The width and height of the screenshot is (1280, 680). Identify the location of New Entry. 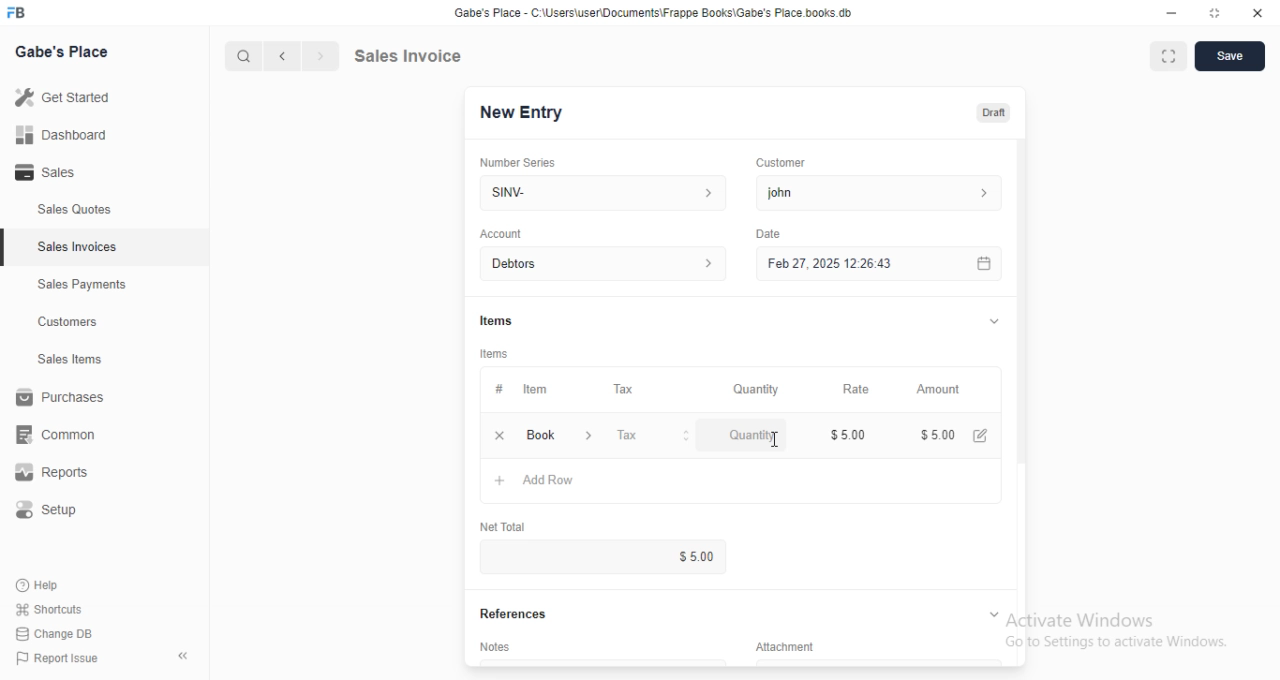
(523, 113).